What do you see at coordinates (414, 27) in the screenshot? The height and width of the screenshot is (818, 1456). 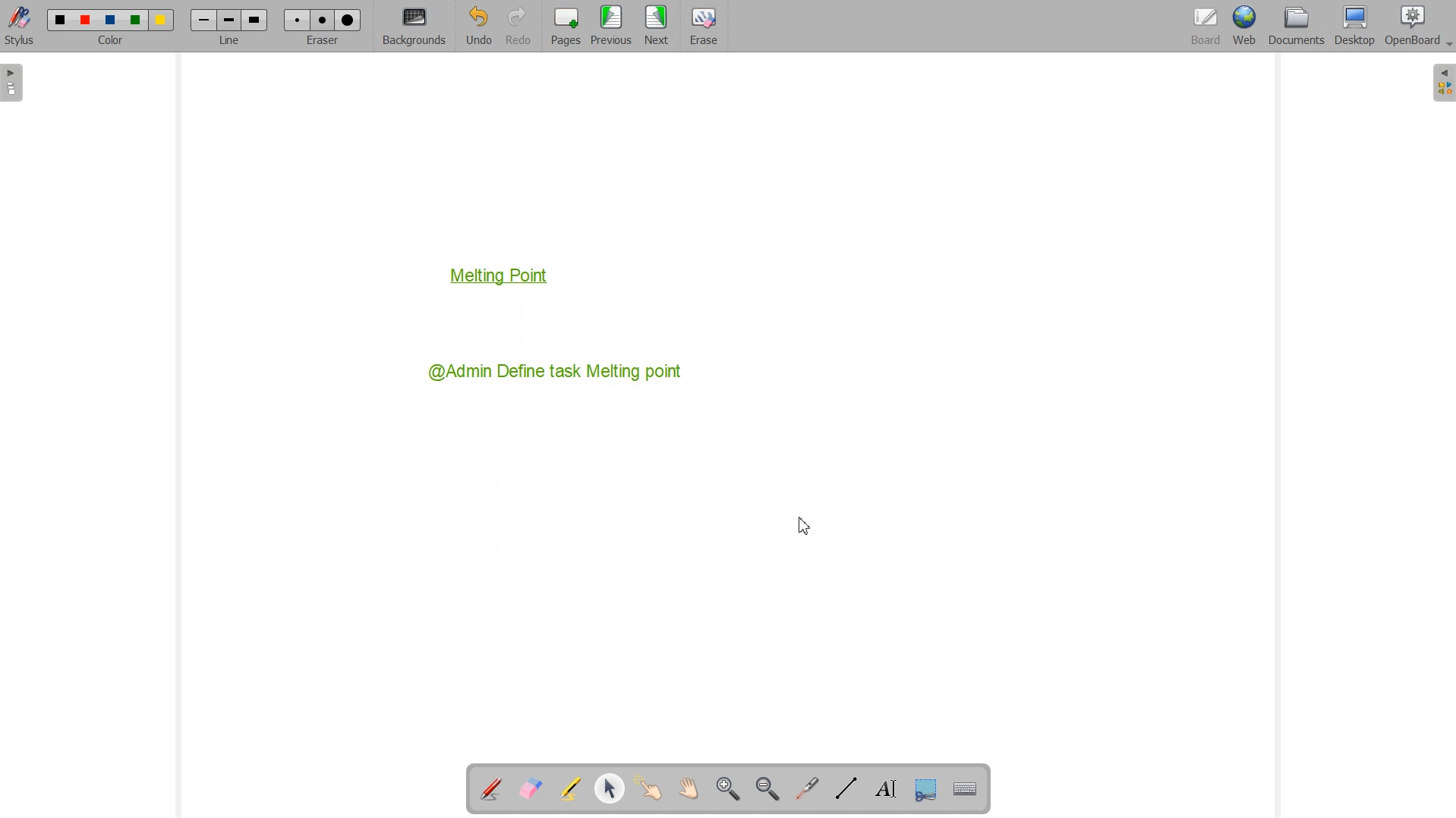 I see `Background` at bounding box center [414, 27].